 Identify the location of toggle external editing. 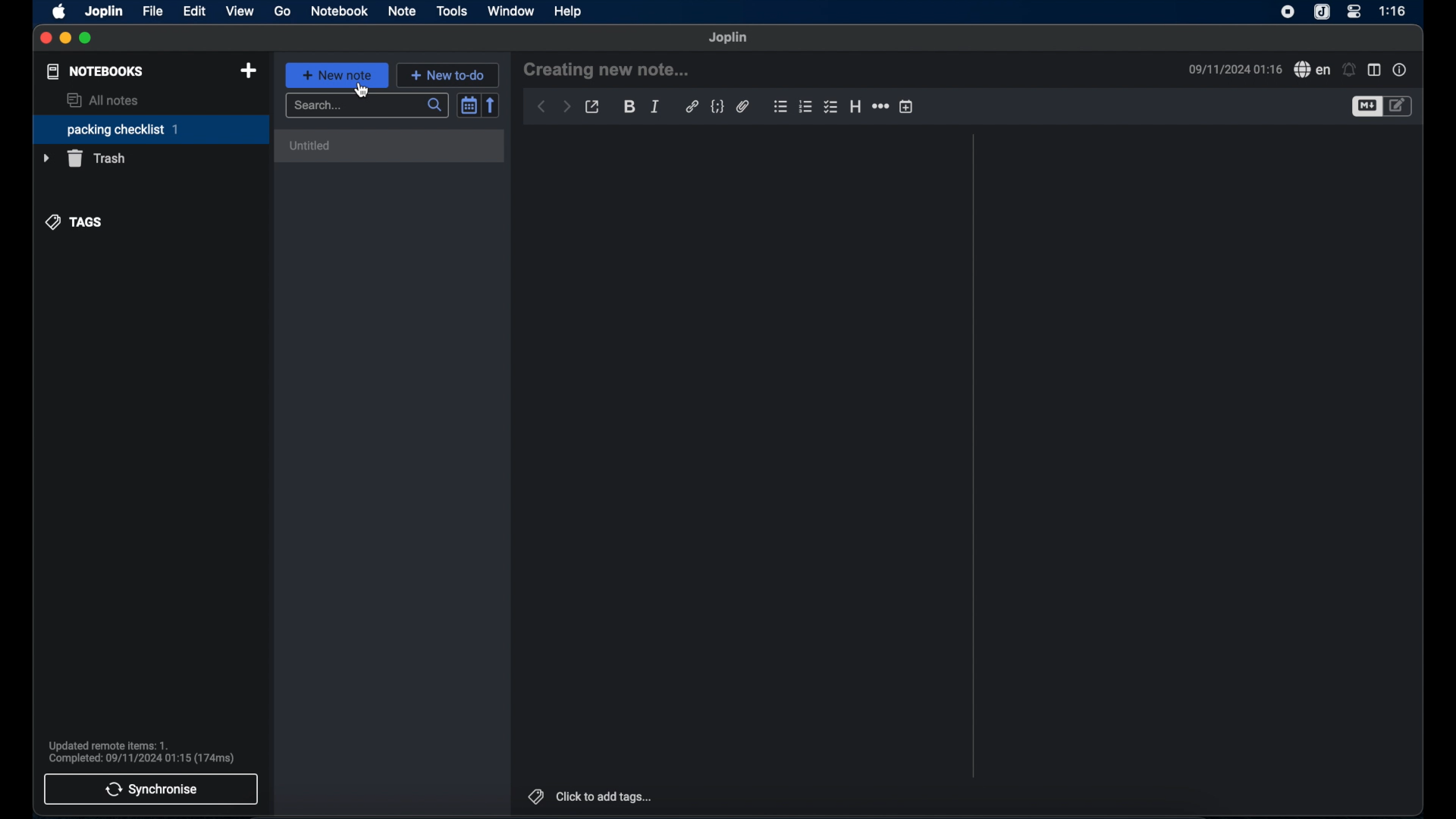
(593, 107).